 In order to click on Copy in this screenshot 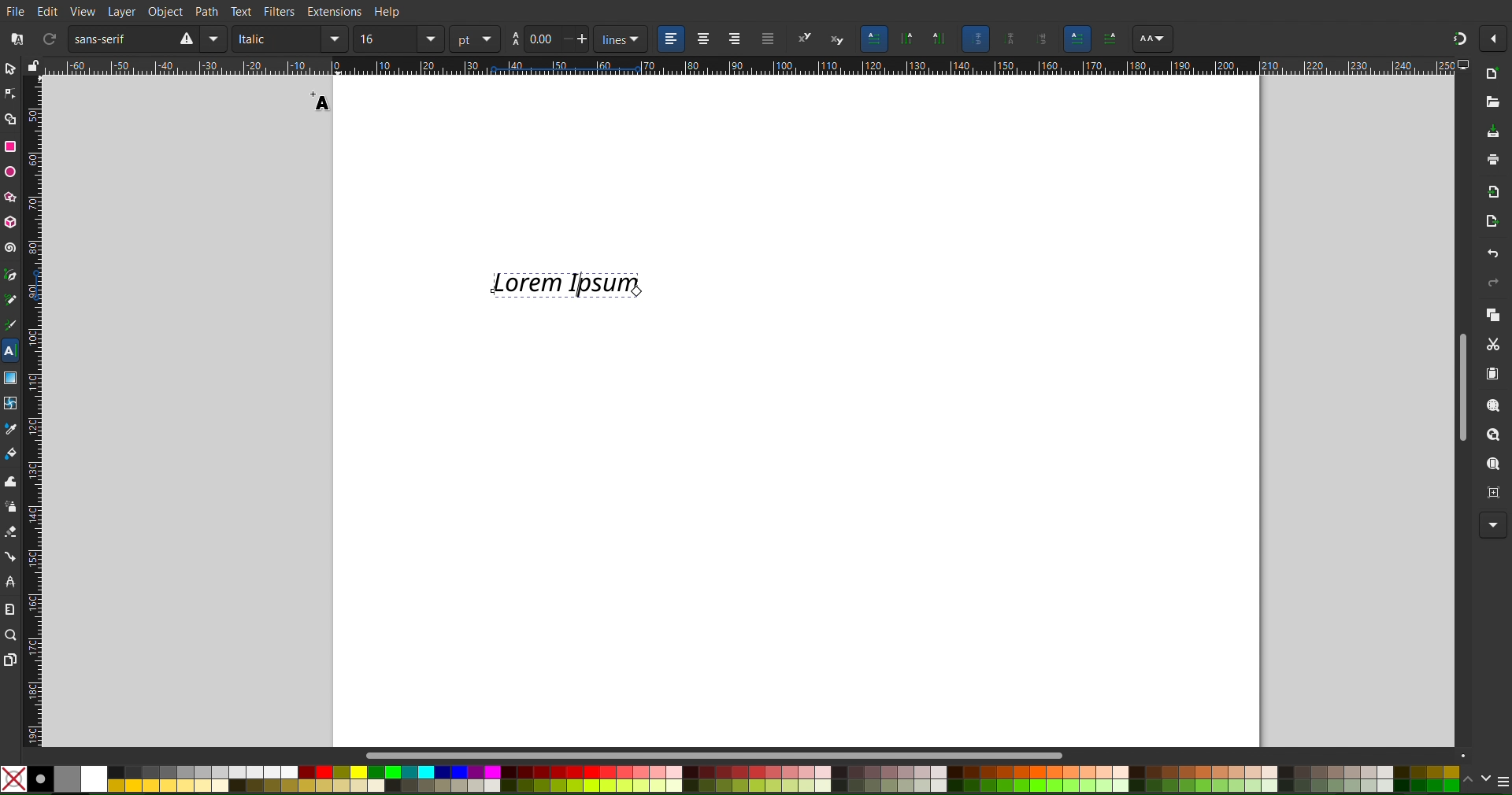, I will do `click(1489, 316)`.